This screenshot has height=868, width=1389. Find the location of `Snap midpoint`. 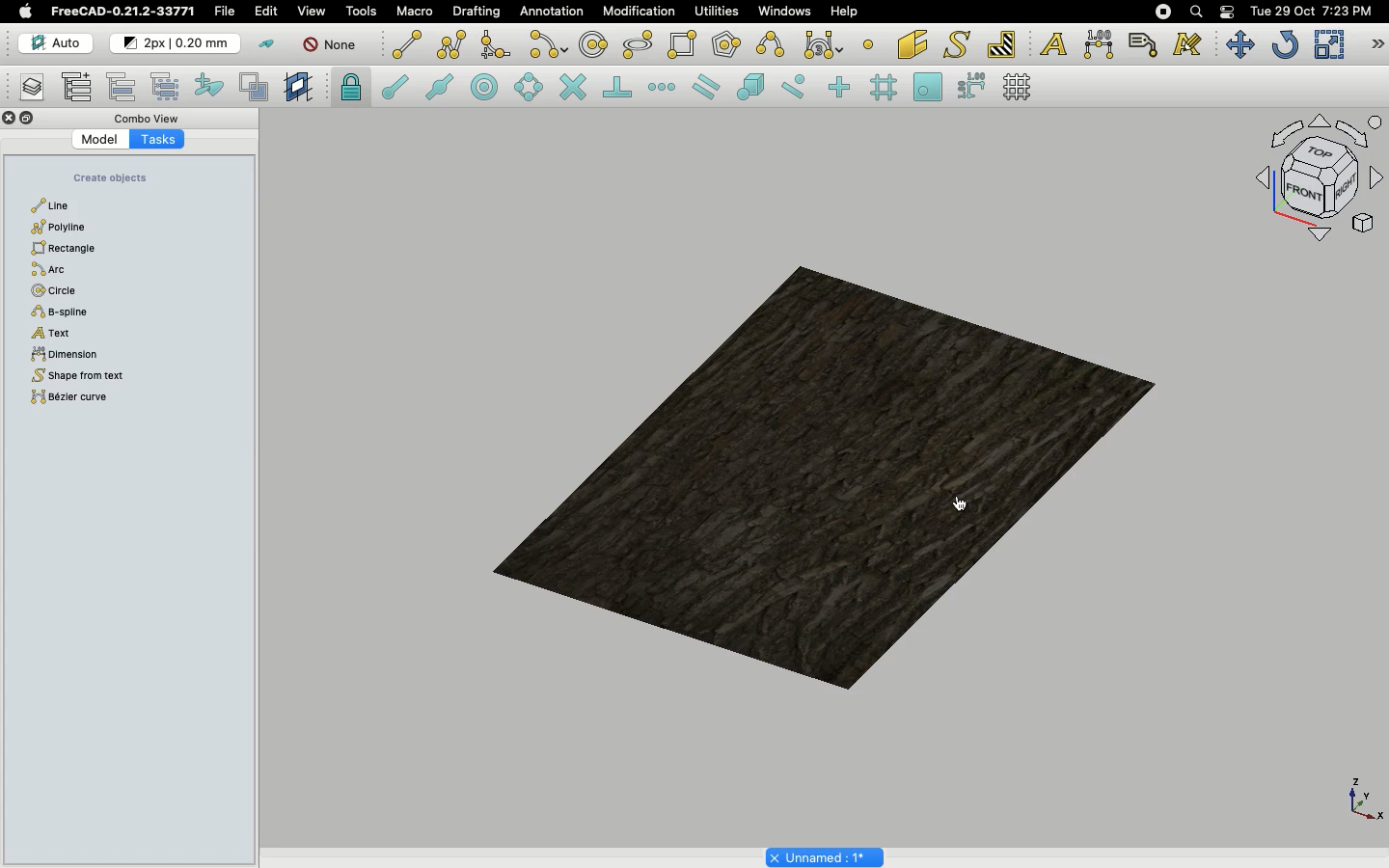

Snap midpoint is located at coordinates (437, 86).